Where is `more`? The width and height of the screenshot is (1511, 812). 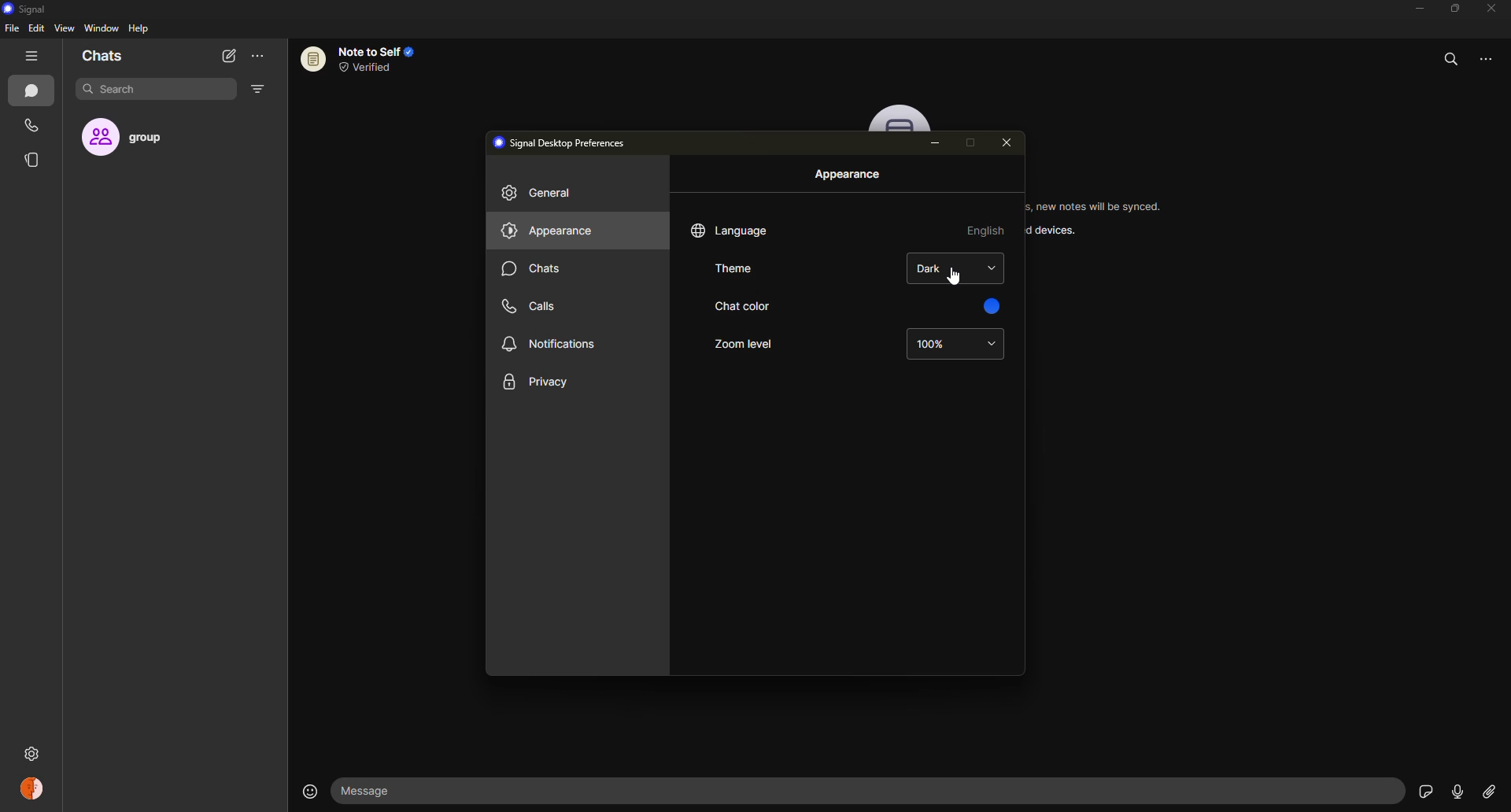
more is located at coordinates (1493, 56).